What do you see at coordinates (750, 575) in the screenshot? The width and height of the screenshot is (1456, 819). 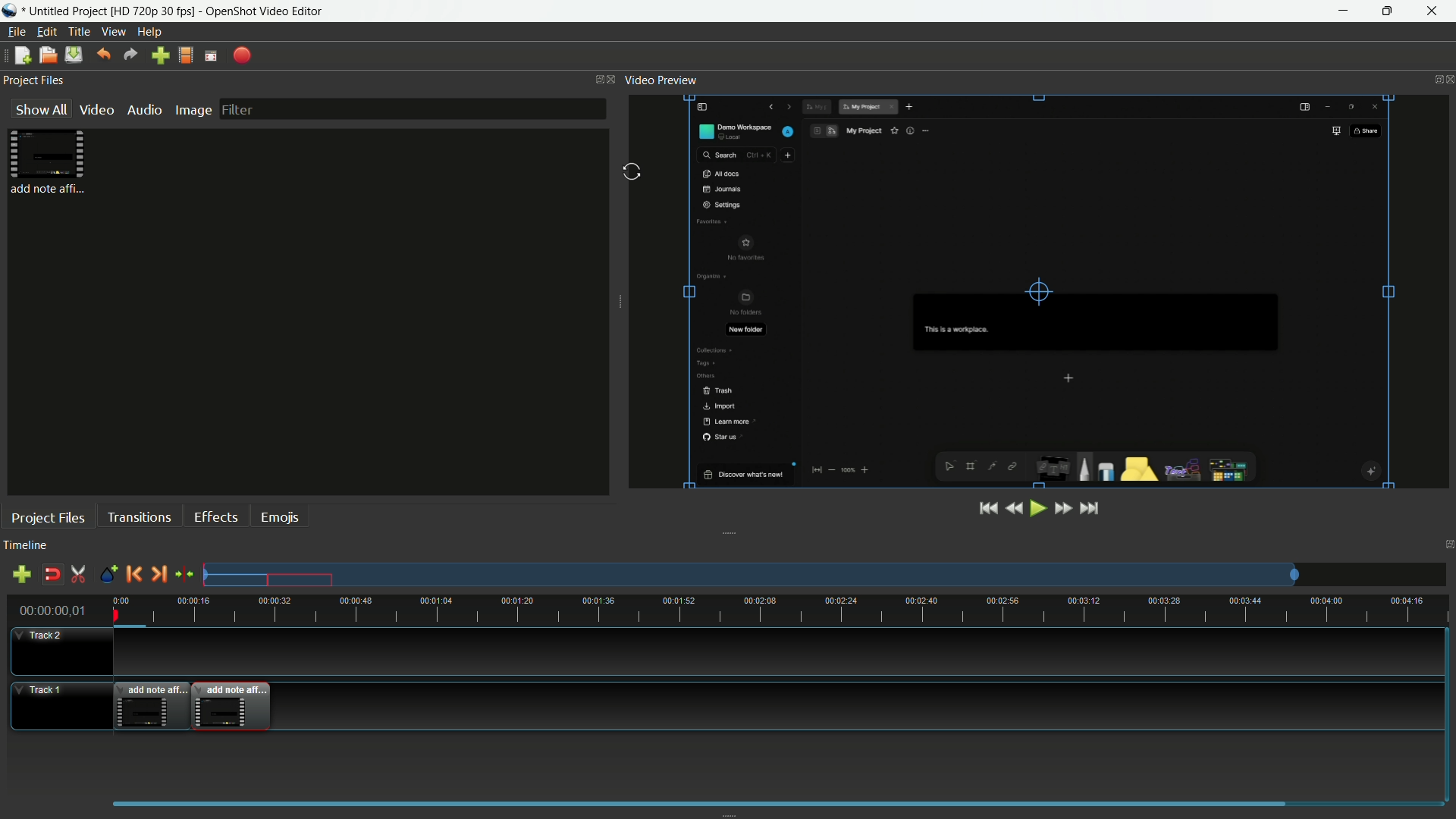 I see `tracks preview` at bounding box center [750, 575].